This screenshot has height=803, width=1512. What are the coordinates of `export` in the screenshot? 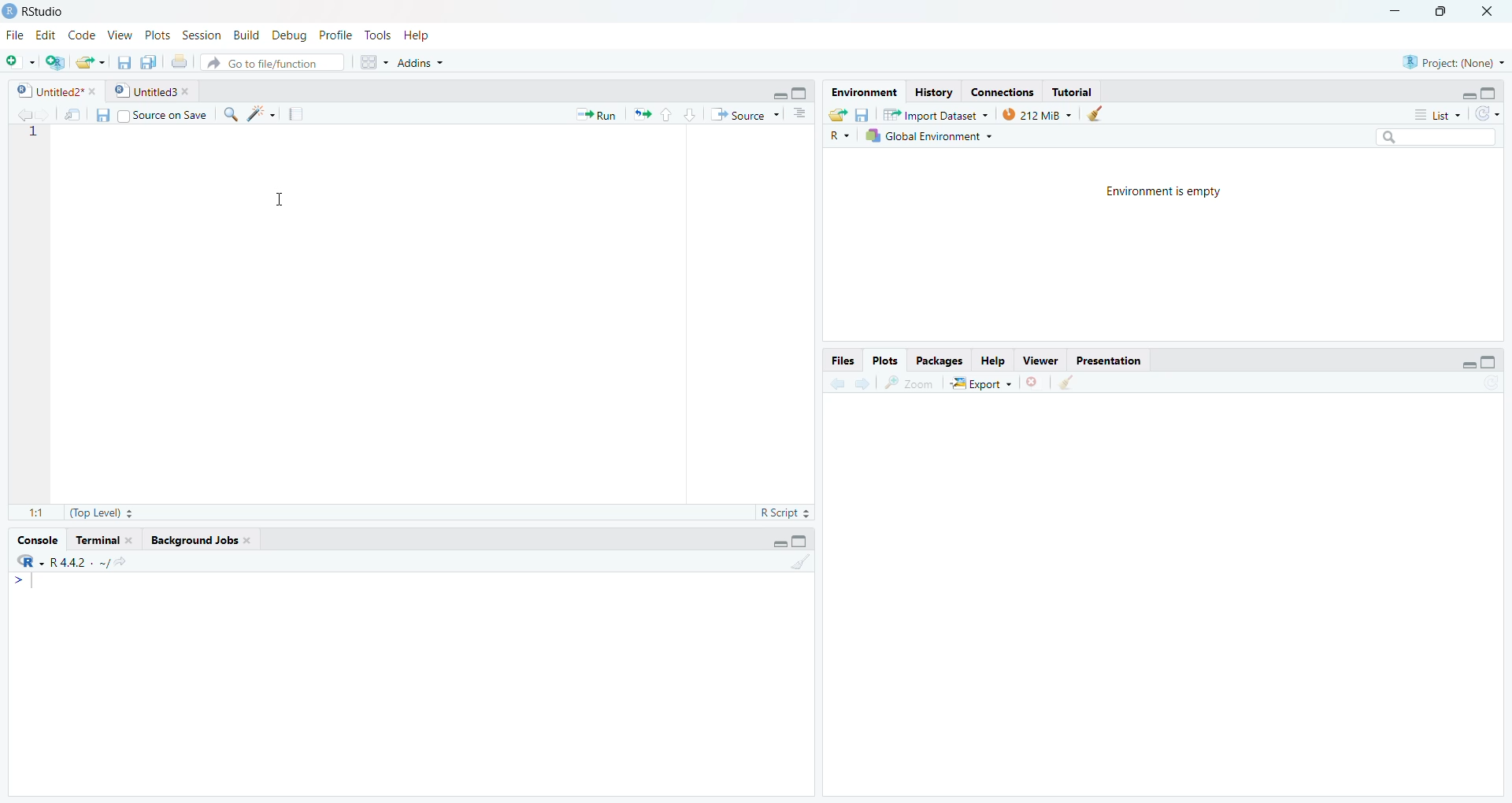 It's located at (980, 381).